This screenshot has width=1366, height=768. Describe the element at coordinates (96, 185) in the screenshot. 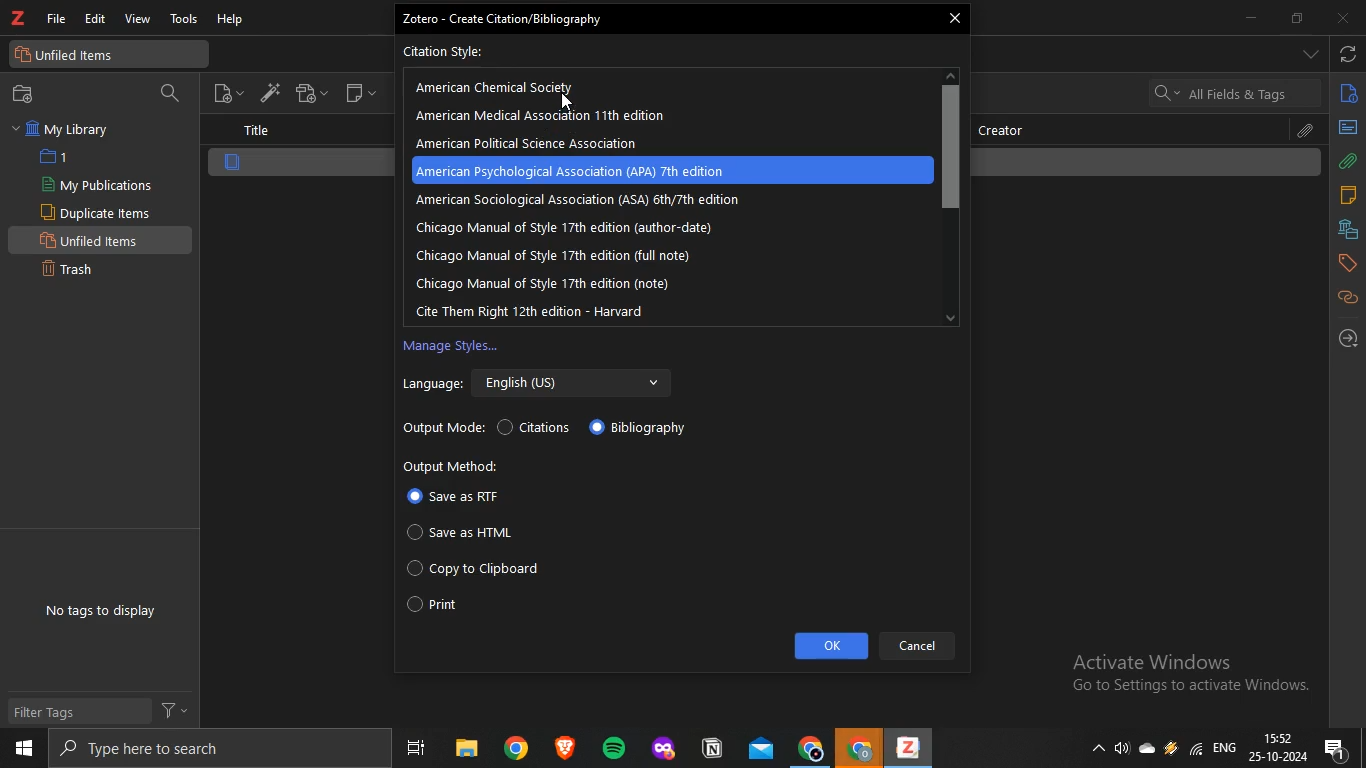

I see `My Publications` at that location.